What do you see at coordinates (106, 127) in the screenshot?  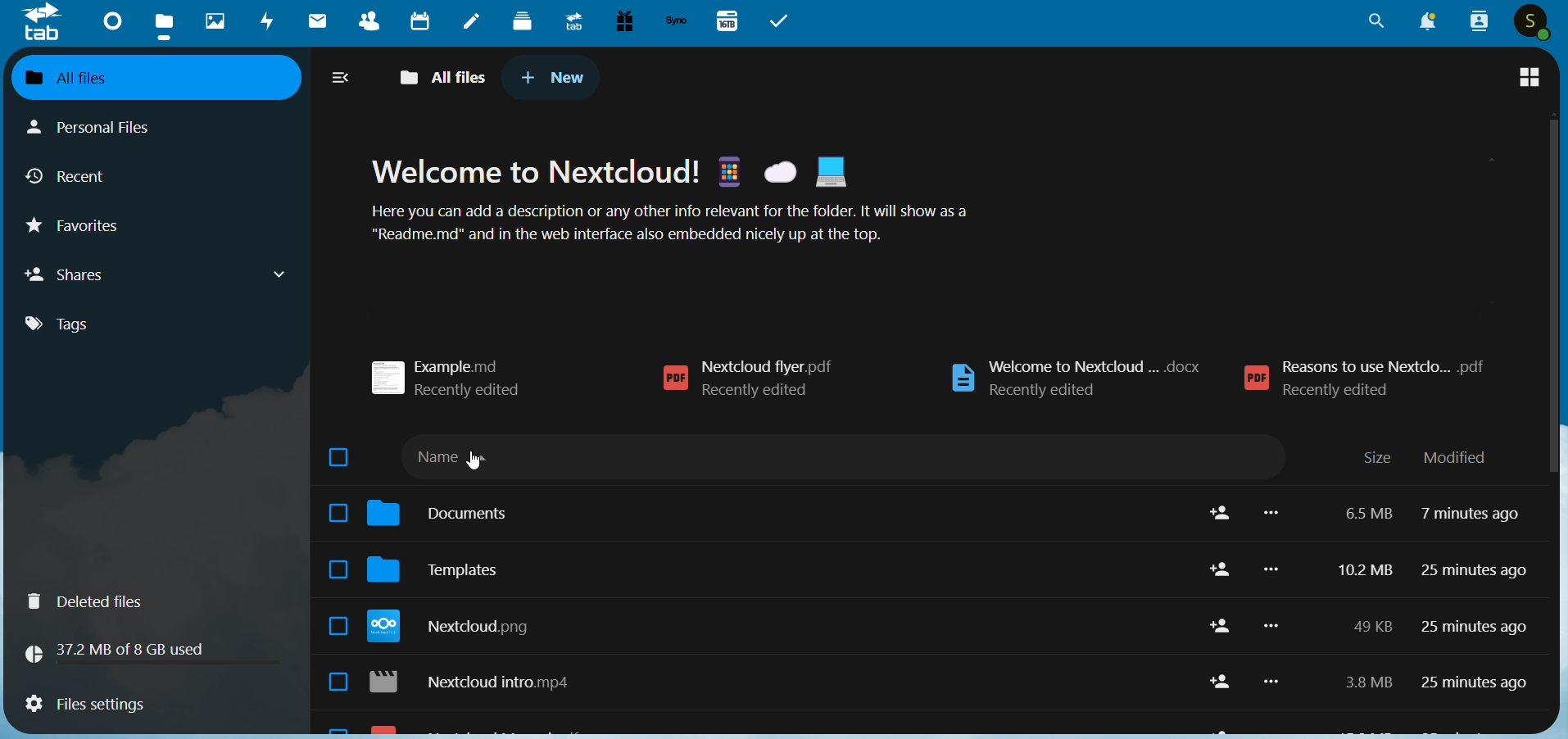 I see `Personal Files` at bounding box center [106, 127].